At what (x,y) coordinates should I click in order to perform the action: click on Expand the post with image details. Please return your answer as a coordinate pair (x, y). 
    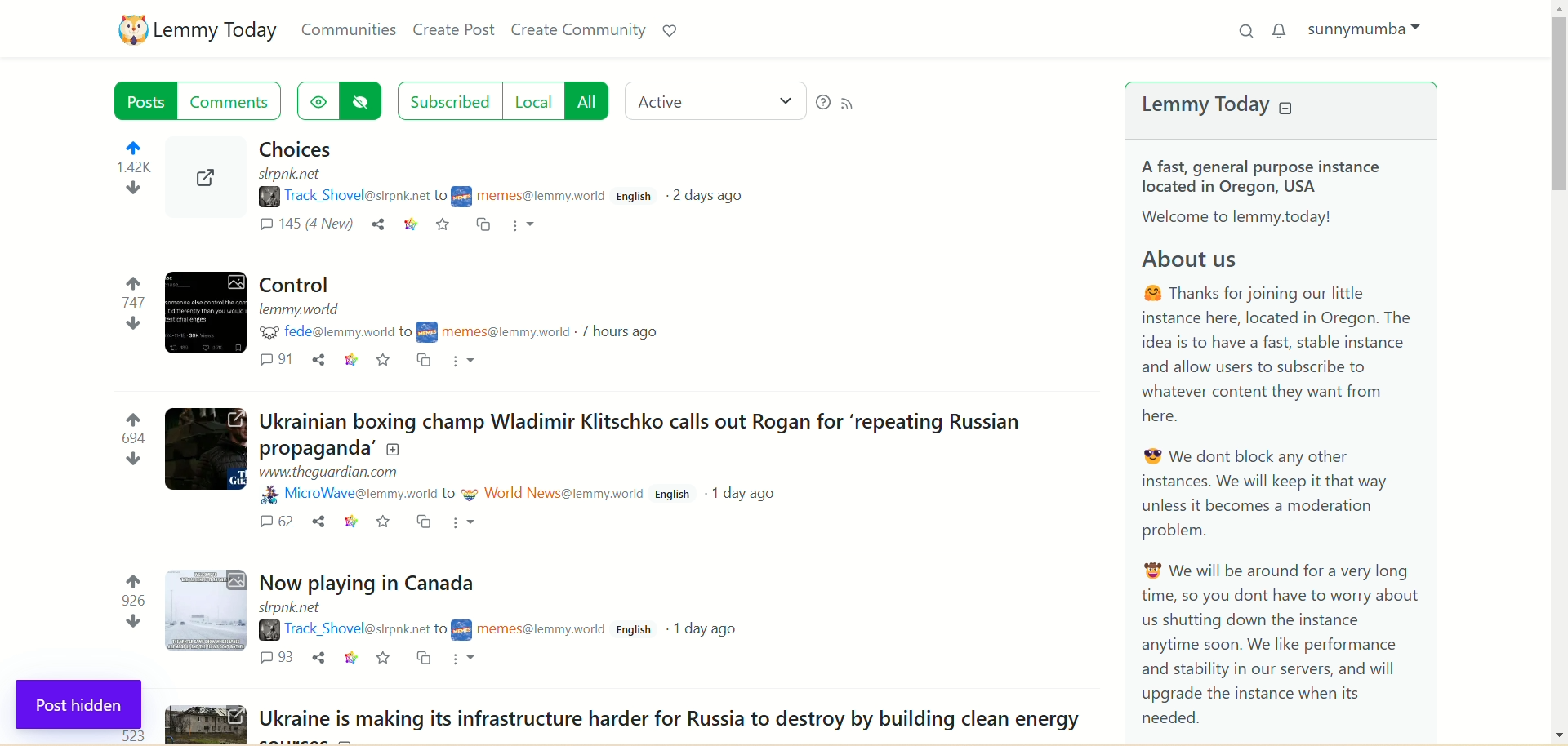
    Looking at the image, I should click on (203, 189).